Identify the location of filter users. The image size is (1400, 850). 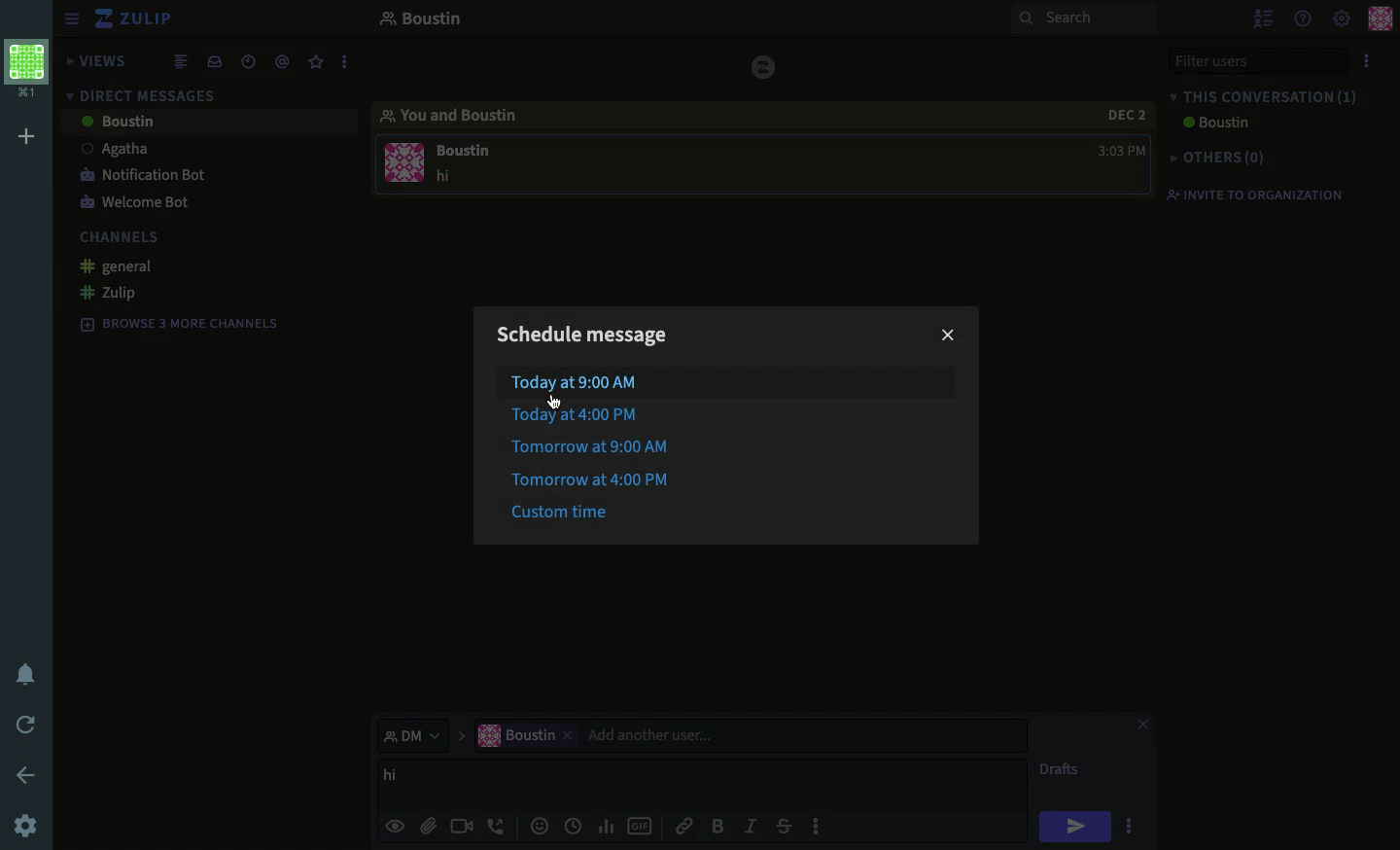
(1259, 61).